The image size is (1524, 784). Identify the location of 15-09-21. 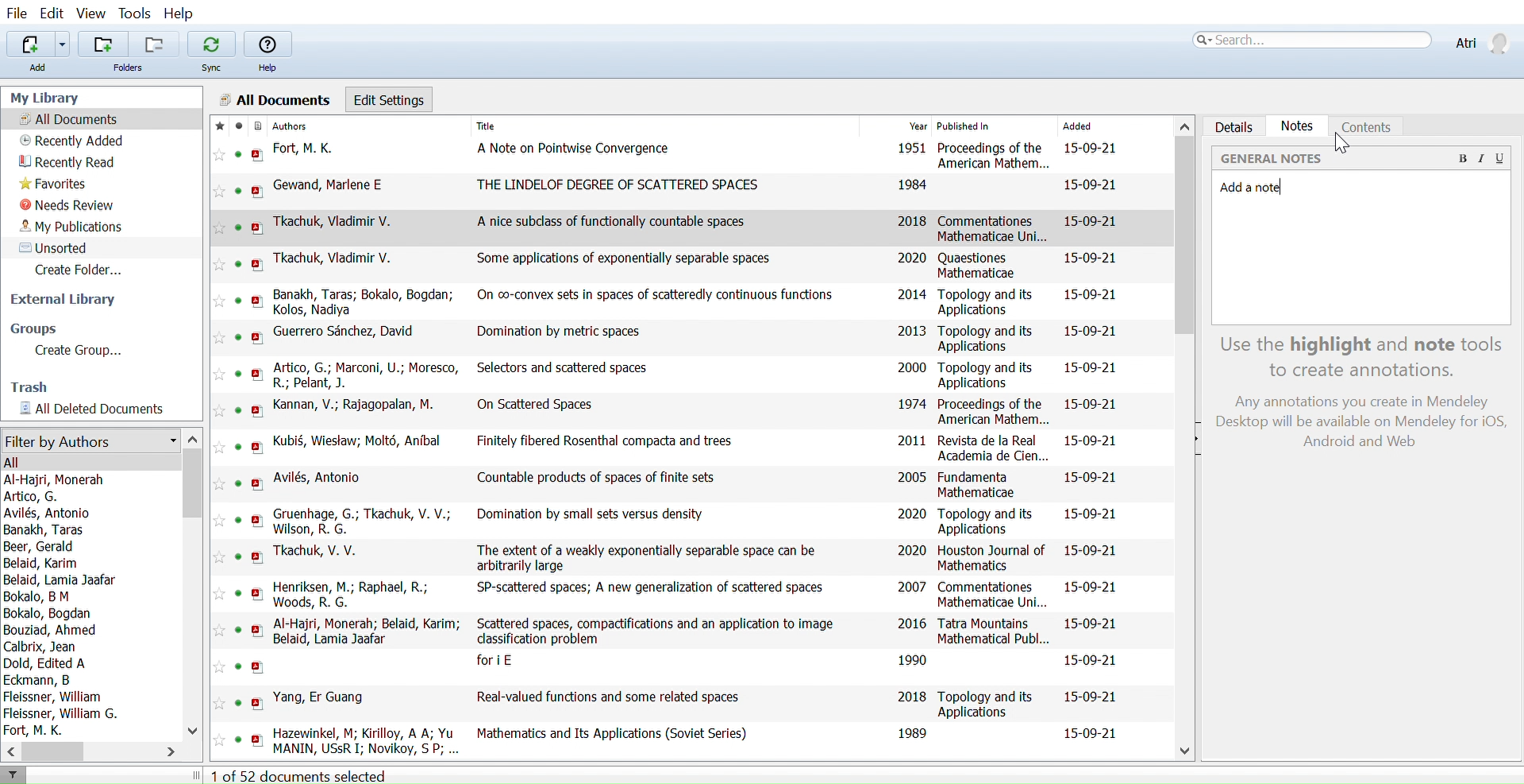
(1094, 623).